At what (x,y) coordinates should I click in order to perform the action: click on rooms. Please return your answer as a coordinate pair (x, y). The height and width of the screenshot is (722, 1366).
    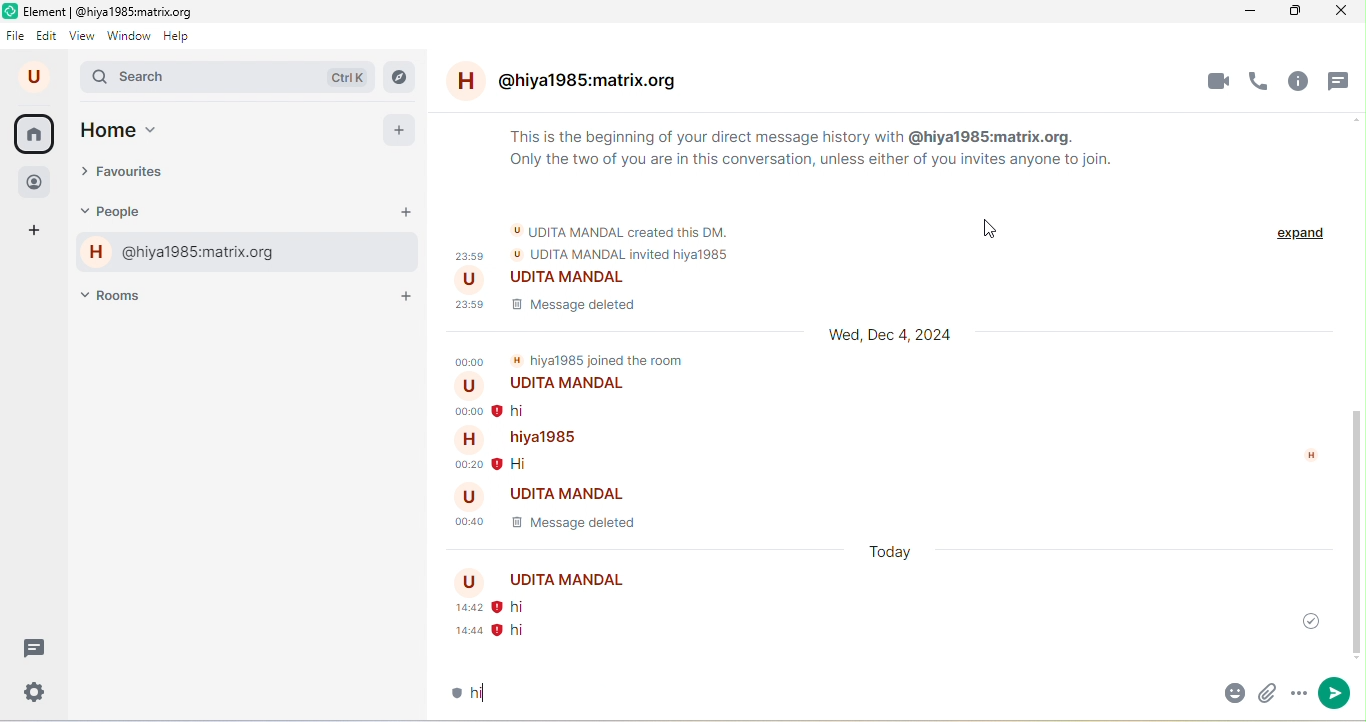
    Looking at the image, I should click on (123, 294).